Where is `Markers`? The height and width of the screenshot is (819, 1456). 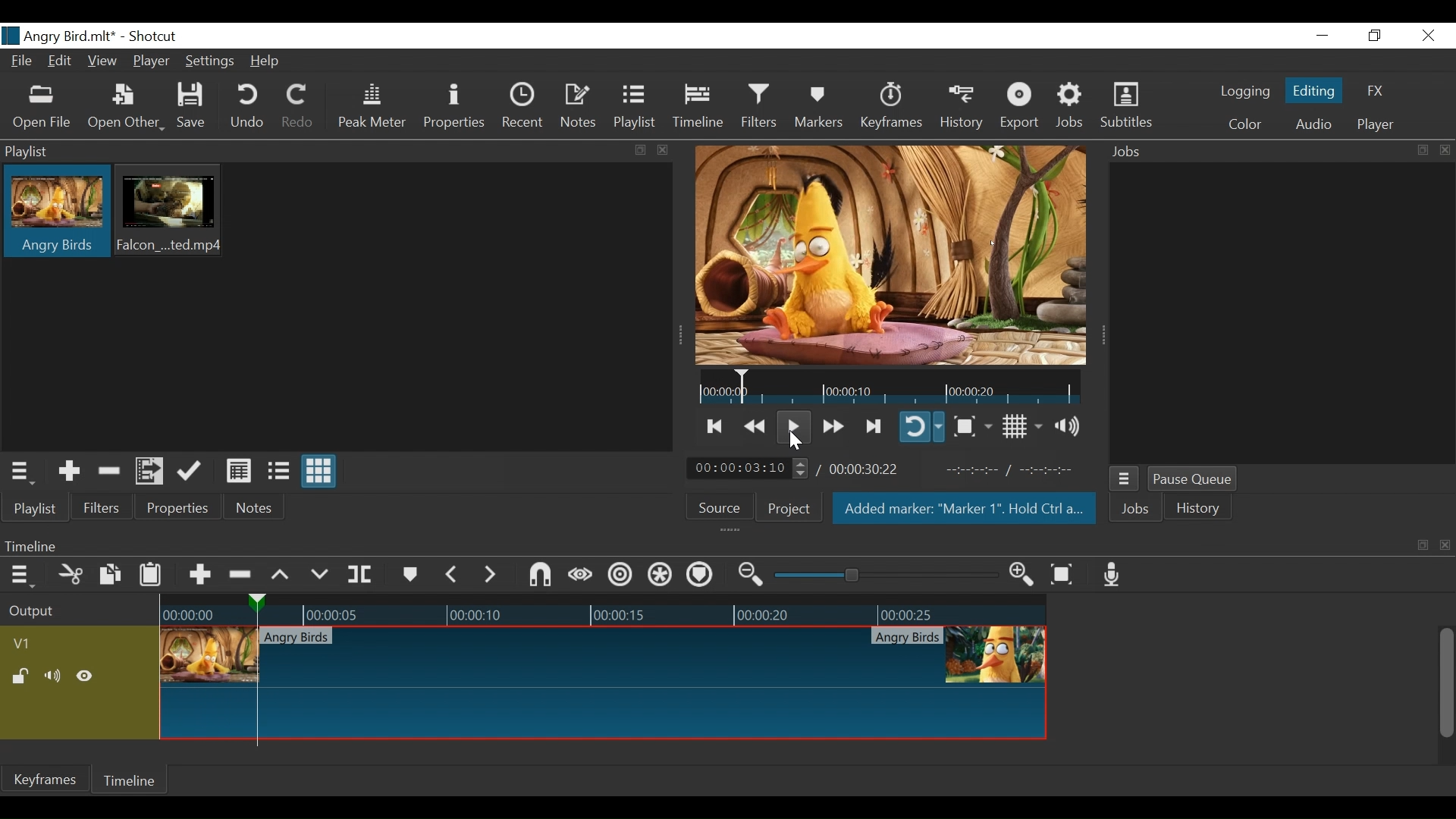 Markers is located at coordinates (411, 573).